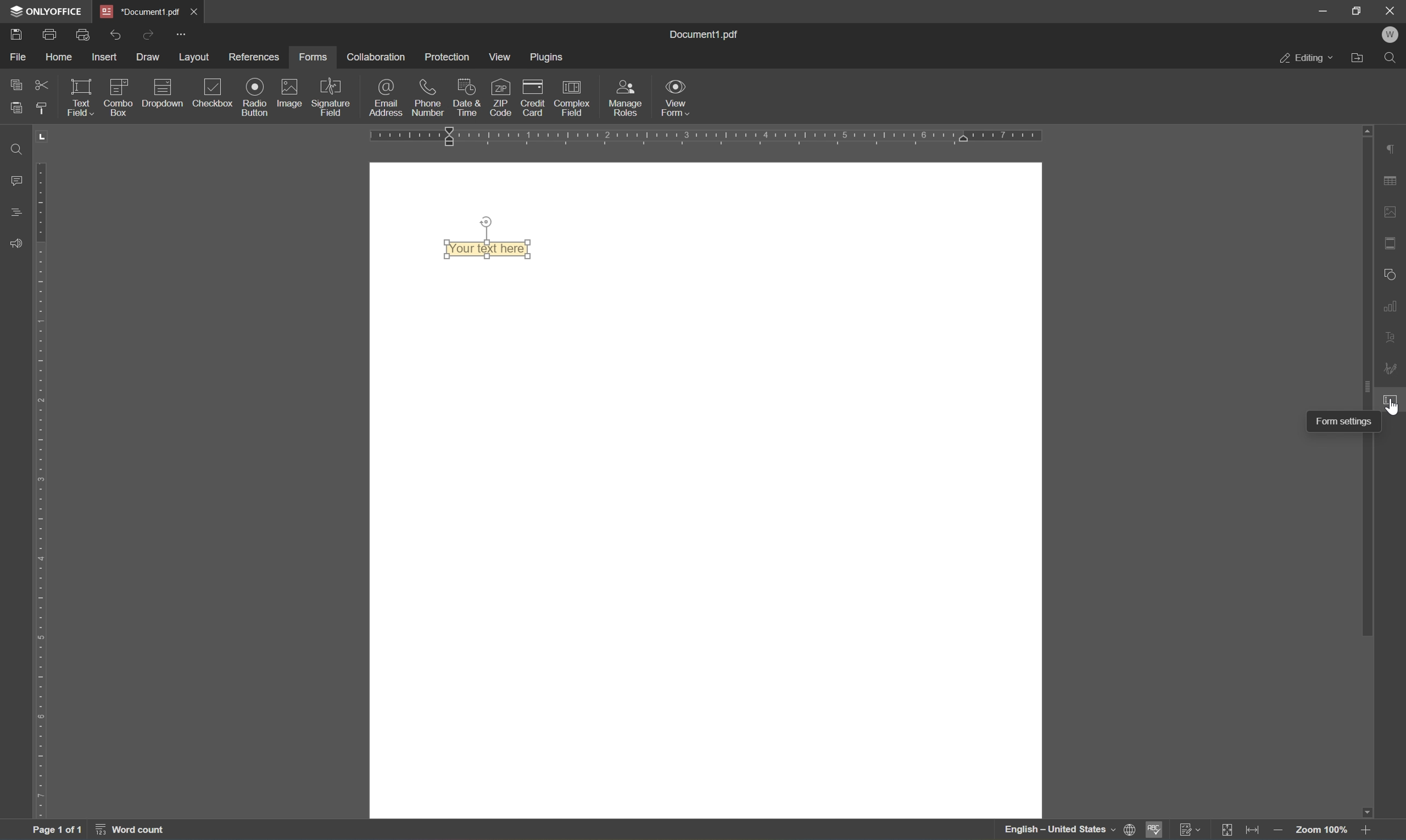 The height and width of the screenshot is (840, 1406). What do you see at coordinates (447, 56) in the screenshot?
I see `protection` at bounding box center [447, 56].